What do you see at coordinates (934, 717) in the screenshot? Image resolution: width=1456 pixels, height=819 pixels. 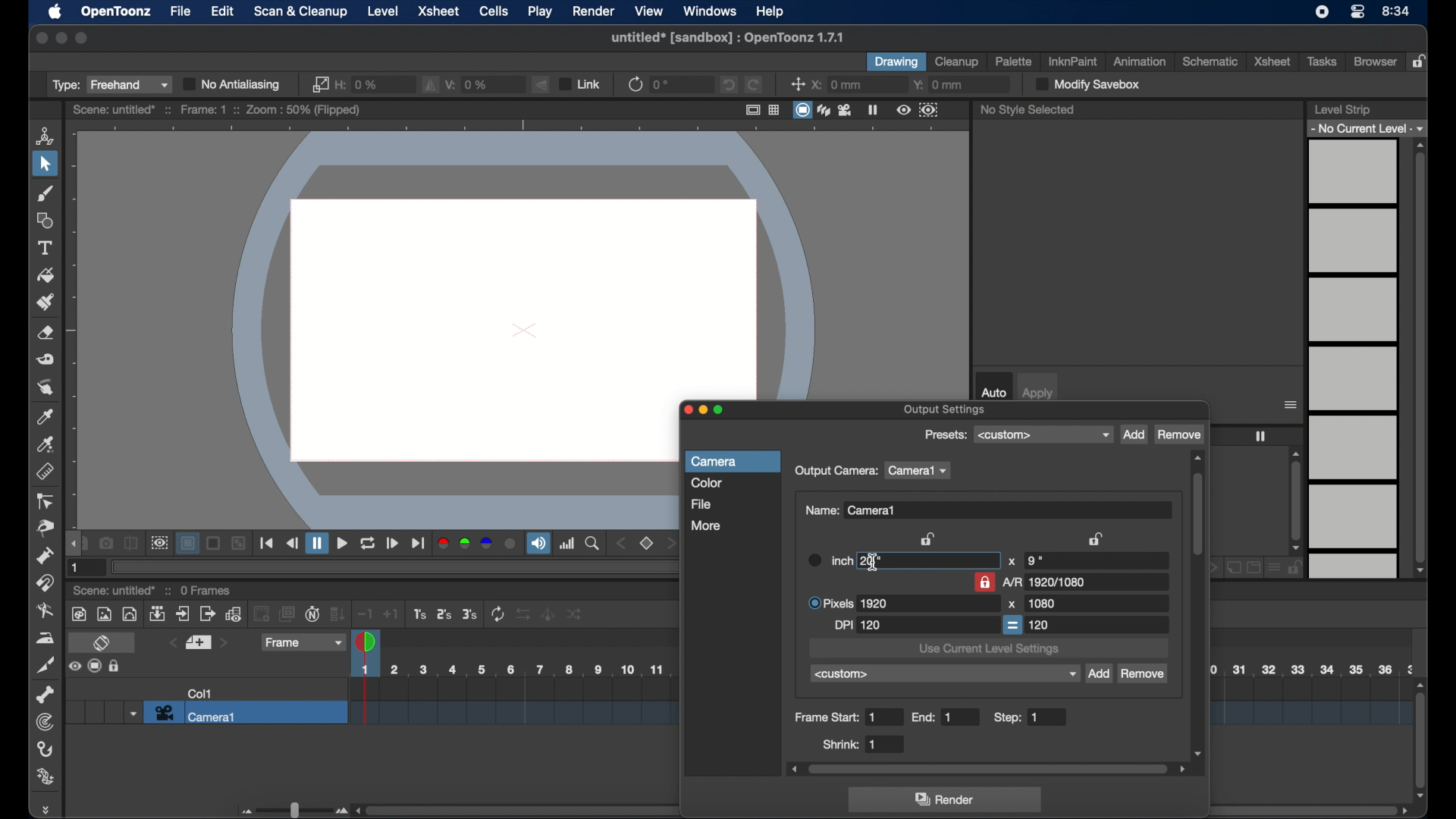 I see `end` at bounding box center [934, 717].